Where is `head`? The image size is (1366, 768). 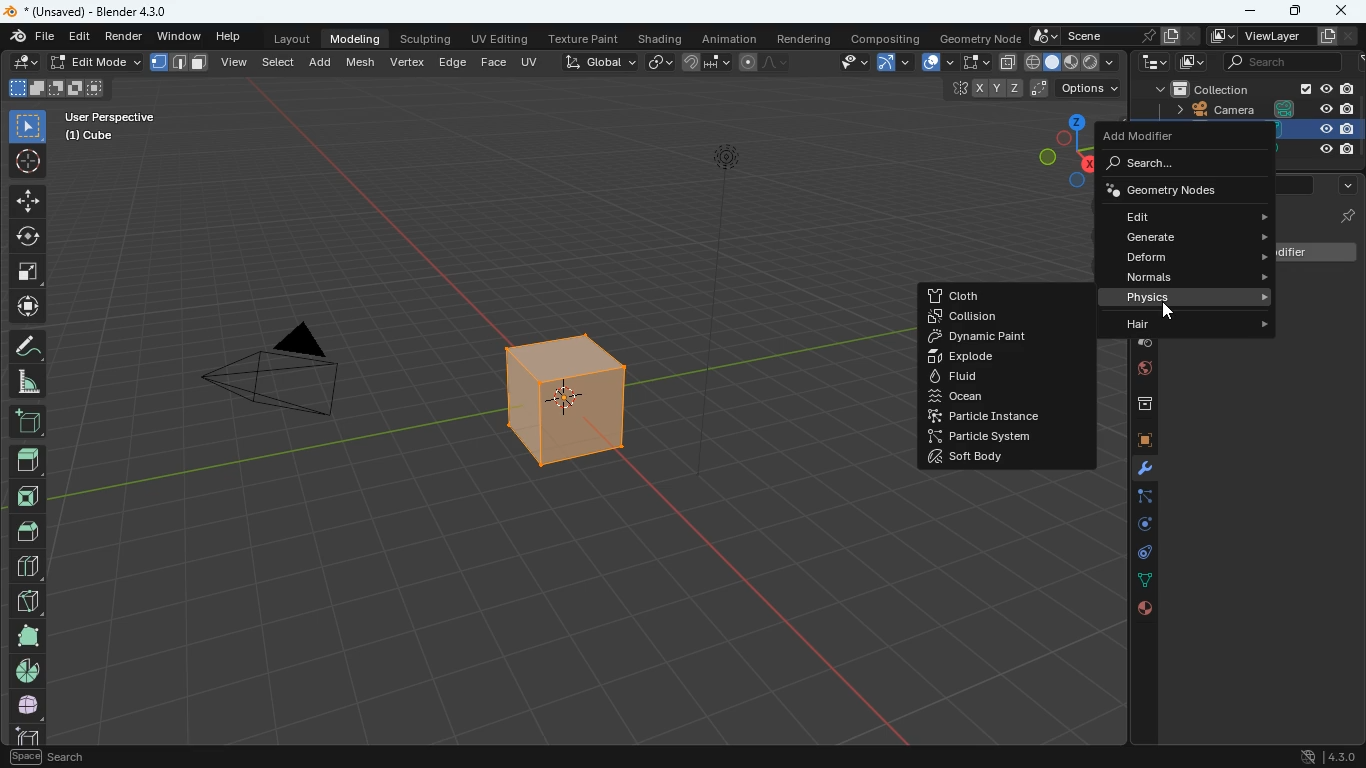 head is located at coordinates (27, 460).